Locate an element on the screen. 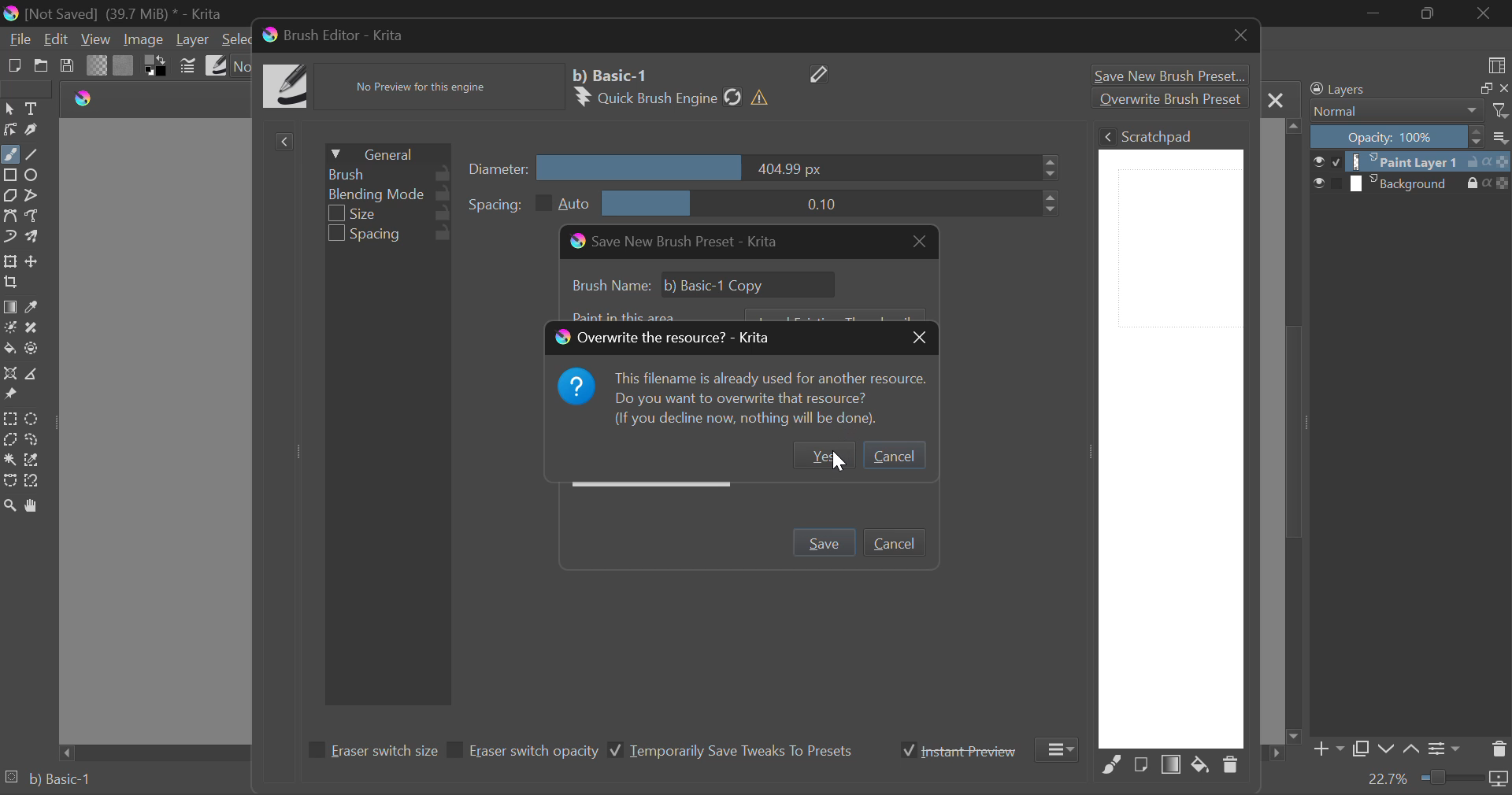 The height and width of the screenshot is (795, 1512). No Preview Available is located at coordinates (425, 87).